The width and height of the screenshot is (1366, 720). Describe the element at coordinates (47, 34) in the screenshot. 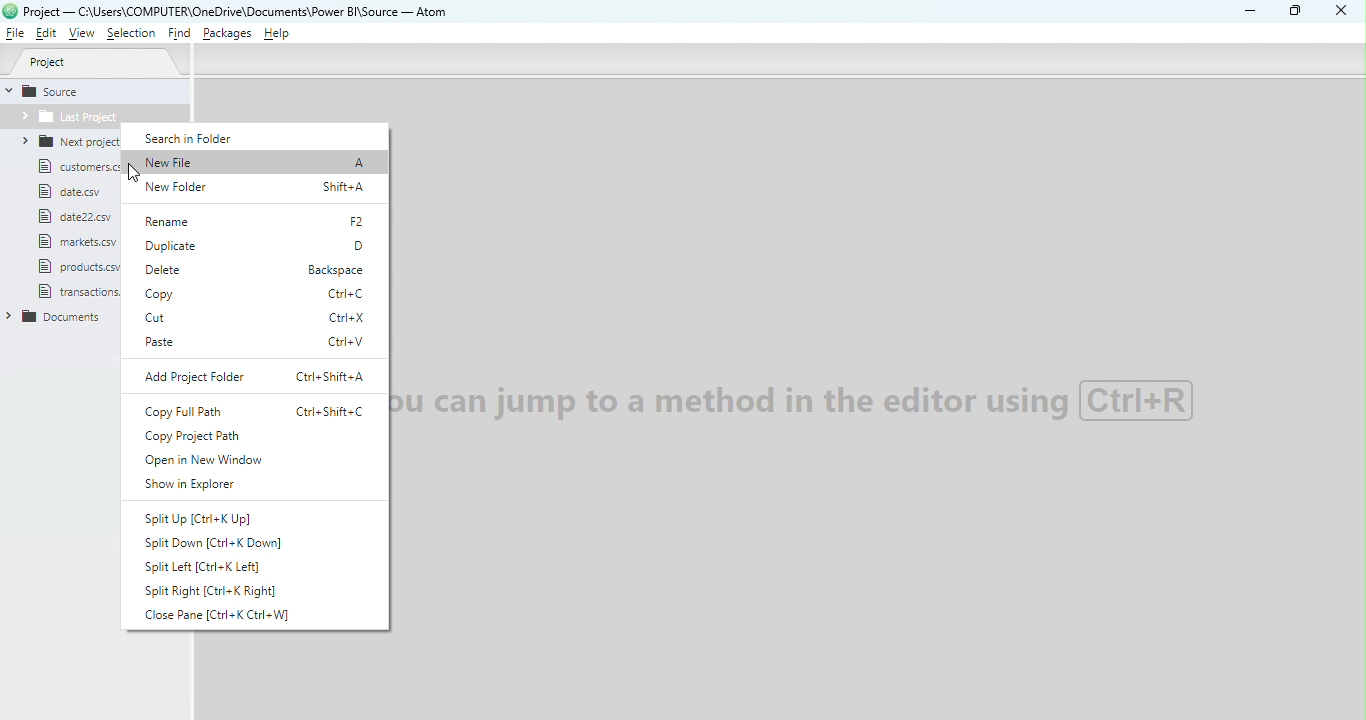

I see `Edit` at that location.